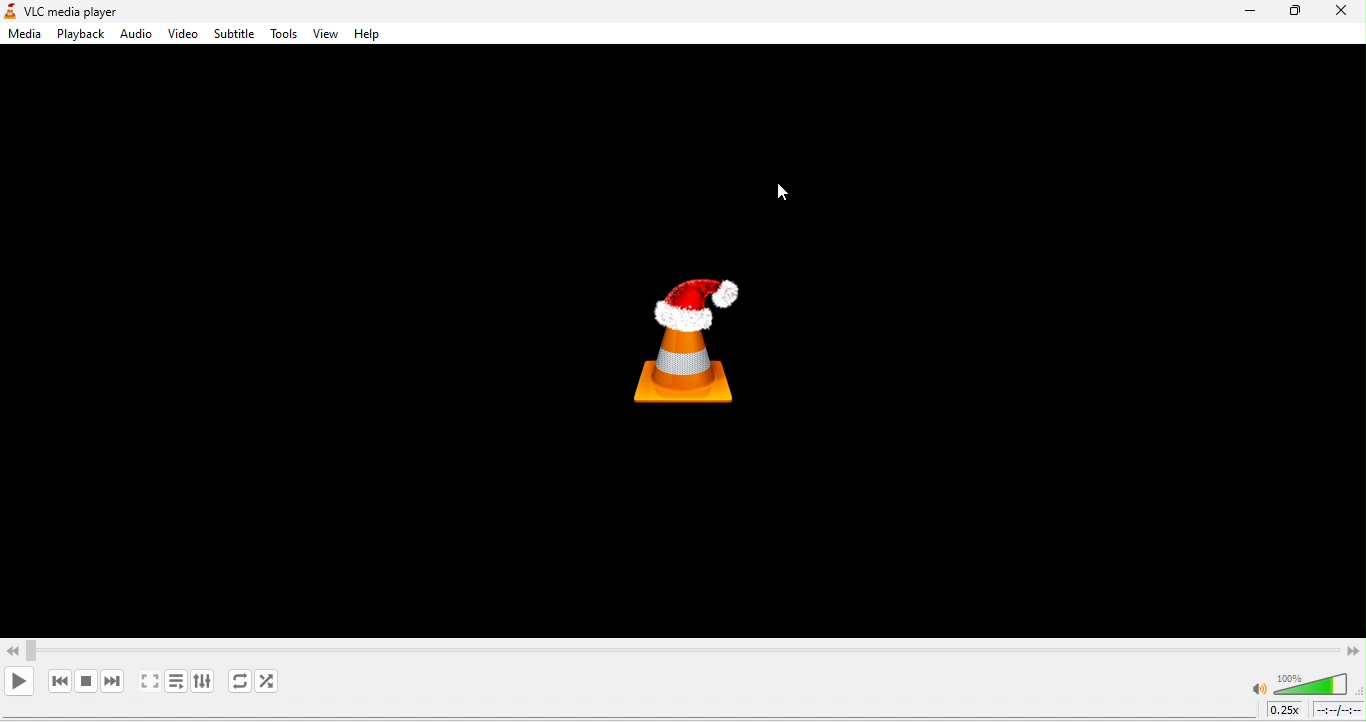 Image resolution: width=1366 pixels, height=722 pixels. What do you see at coordinates (236, 681) in the screenshot?
I see `Replay` at bounding box center [236, 681].